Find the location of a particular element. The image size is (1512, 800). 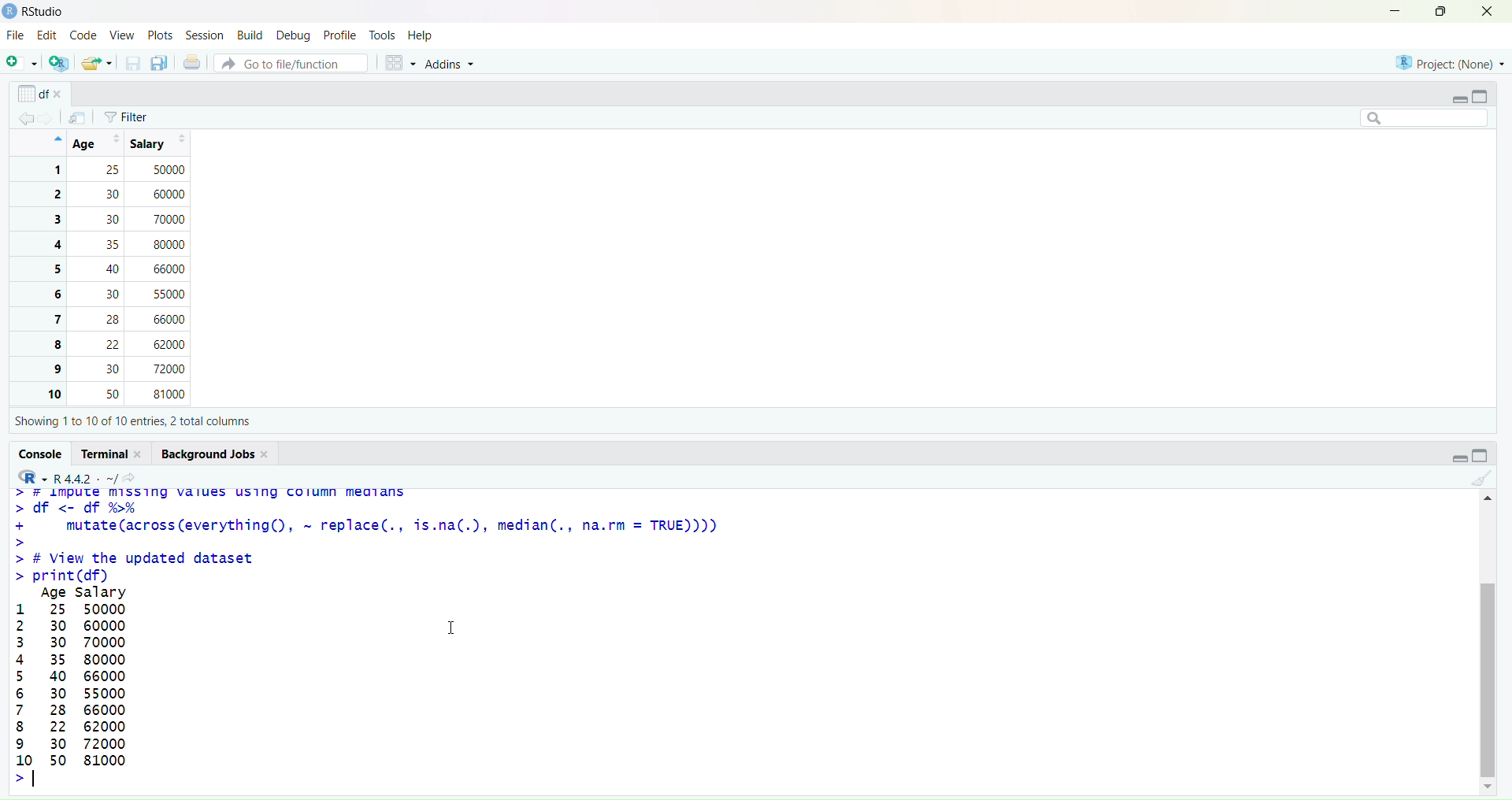

Rstudio is located at coordinates (35, 11).